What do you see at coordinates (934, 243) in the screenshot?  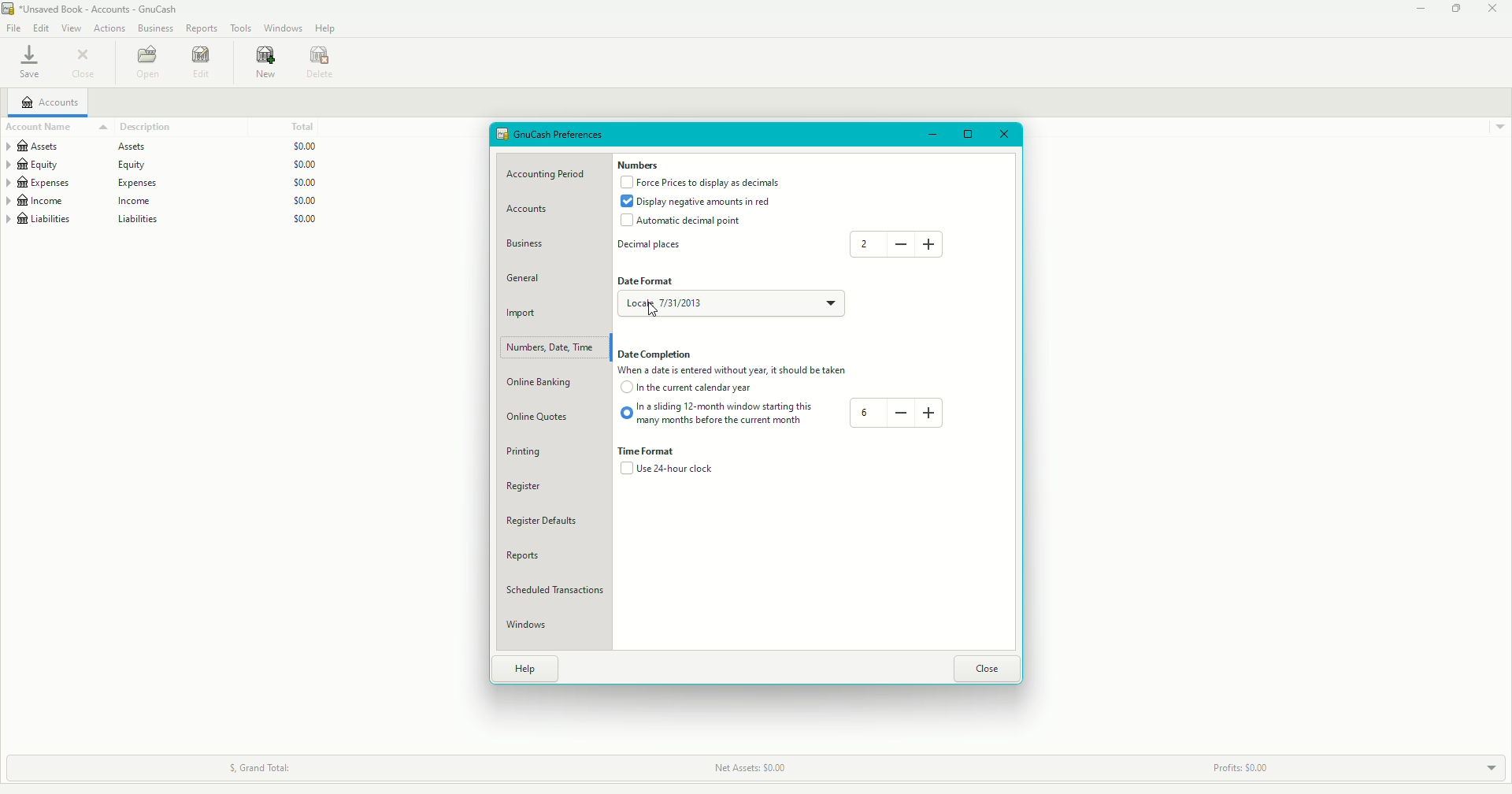 I see `Plus` at bounding box center [934, 243].